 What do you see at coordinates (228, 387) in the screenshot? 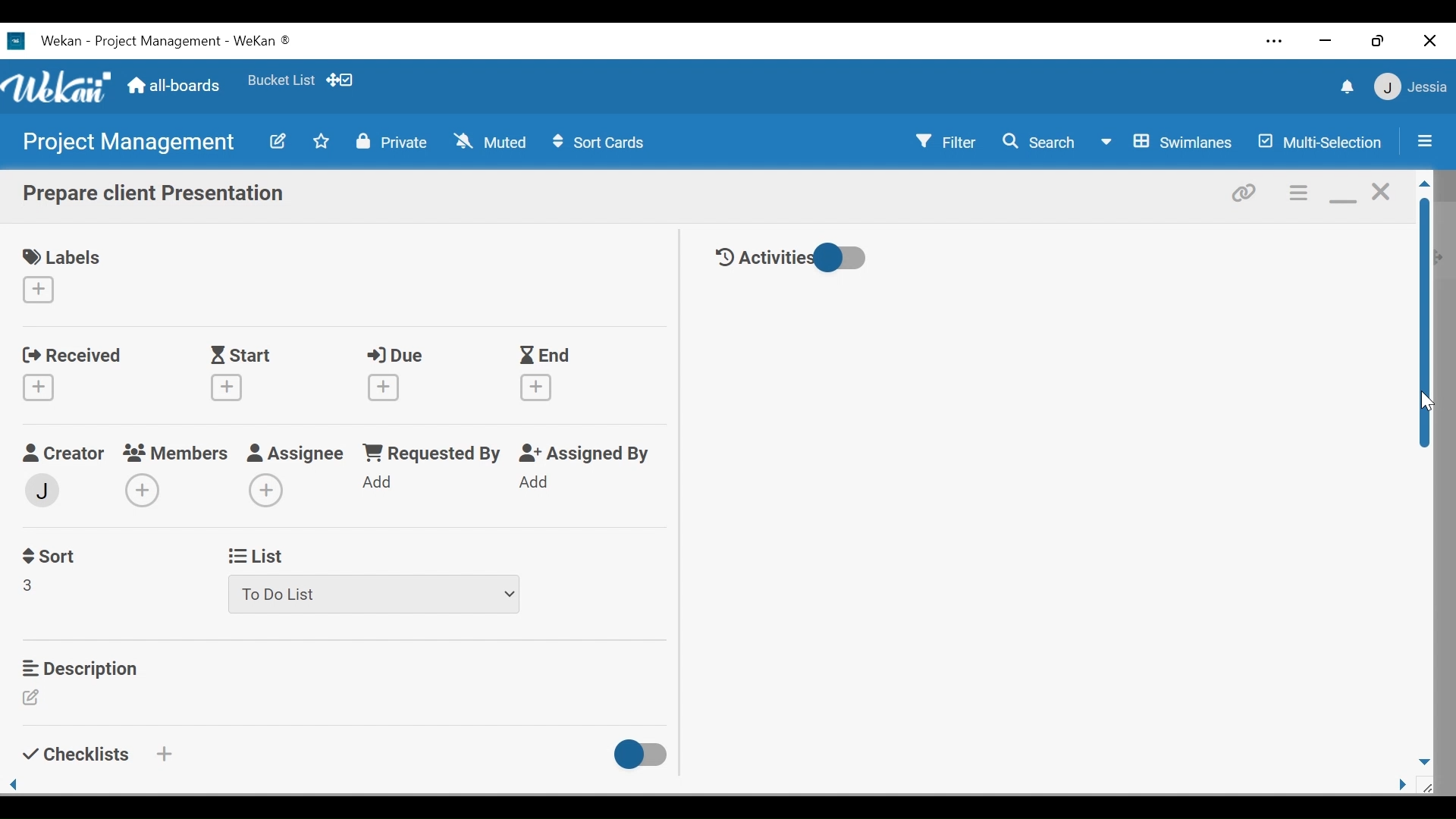
I see `Create start date` at bounding box center [228, 387].